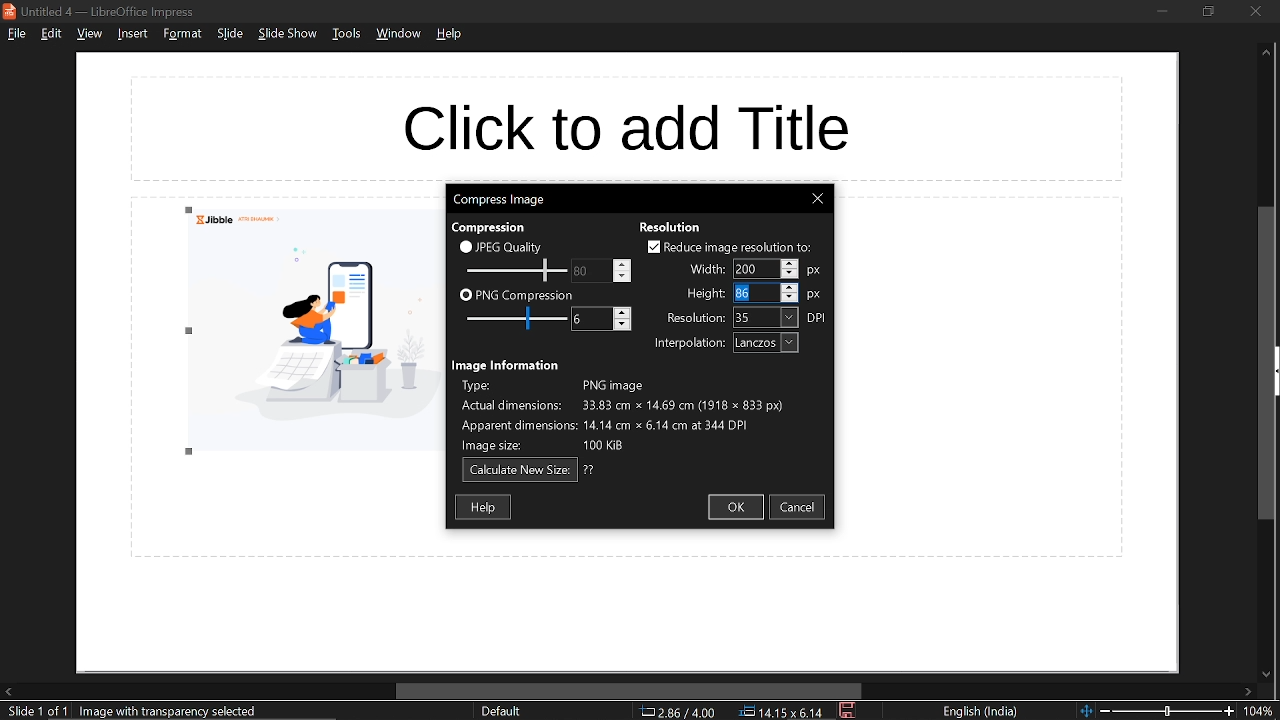  What do you see at coordinates (589, 271) in the screenshot?
I see `PNG compression scale` at bounding box center [589, 271].